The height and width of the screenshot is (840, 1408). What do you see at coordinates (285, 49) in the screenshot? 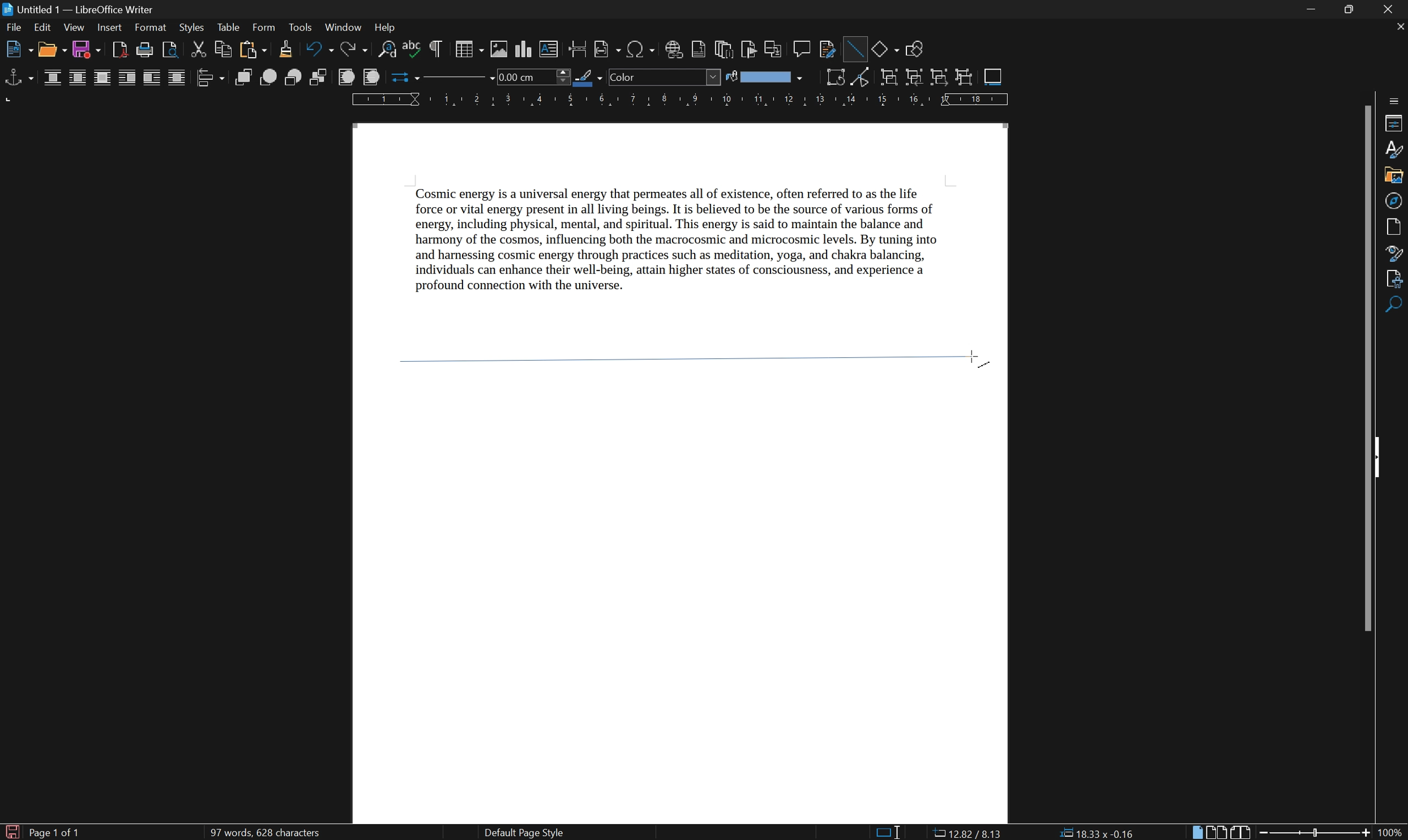
I see `clone formatting` at bounding box center [285, 49].